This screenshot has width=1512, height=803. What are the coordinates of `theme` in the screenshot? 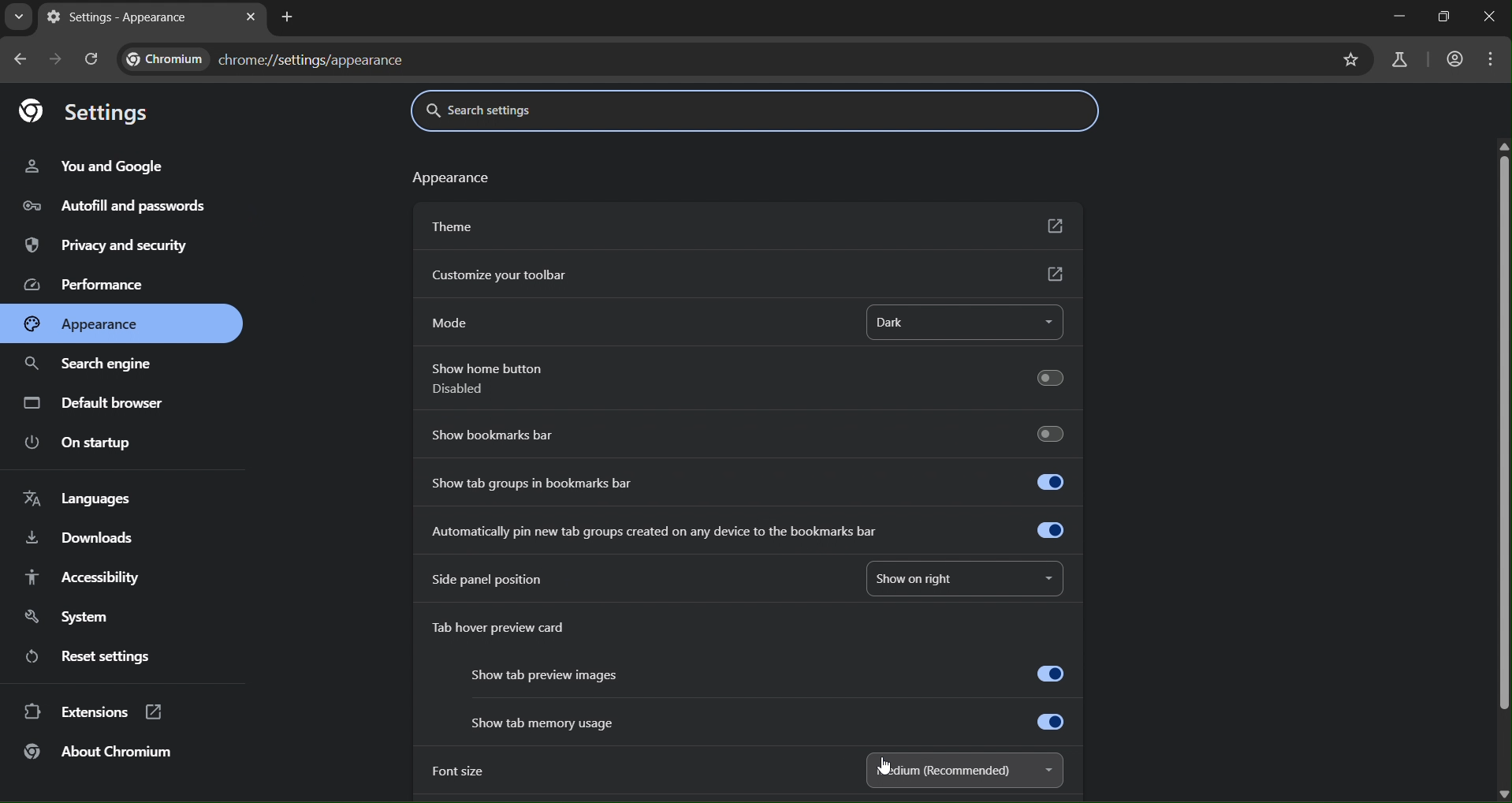 It's located at (747, 226).